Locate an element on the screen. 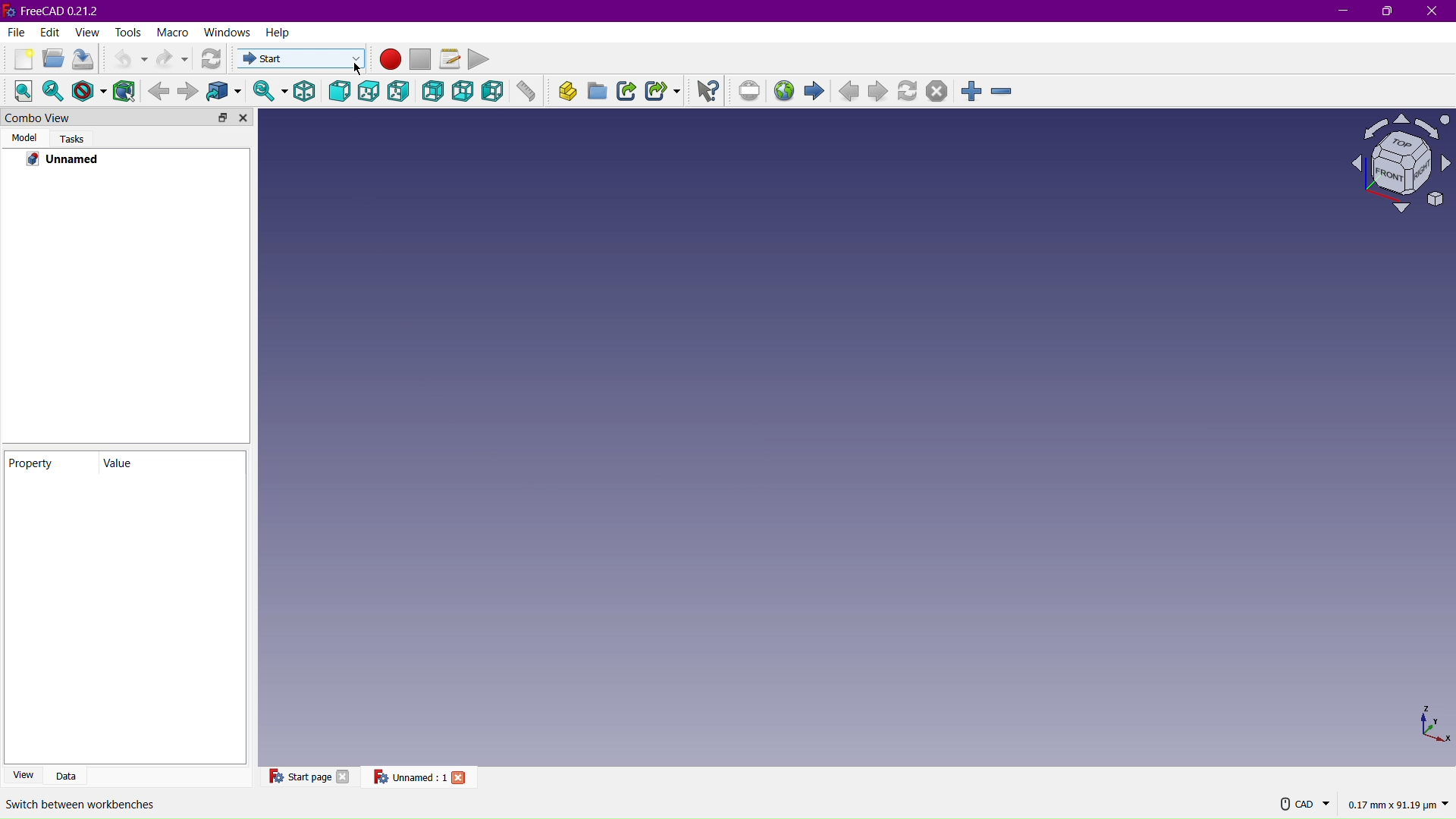  Refresh is located at coordinates (214, 59).